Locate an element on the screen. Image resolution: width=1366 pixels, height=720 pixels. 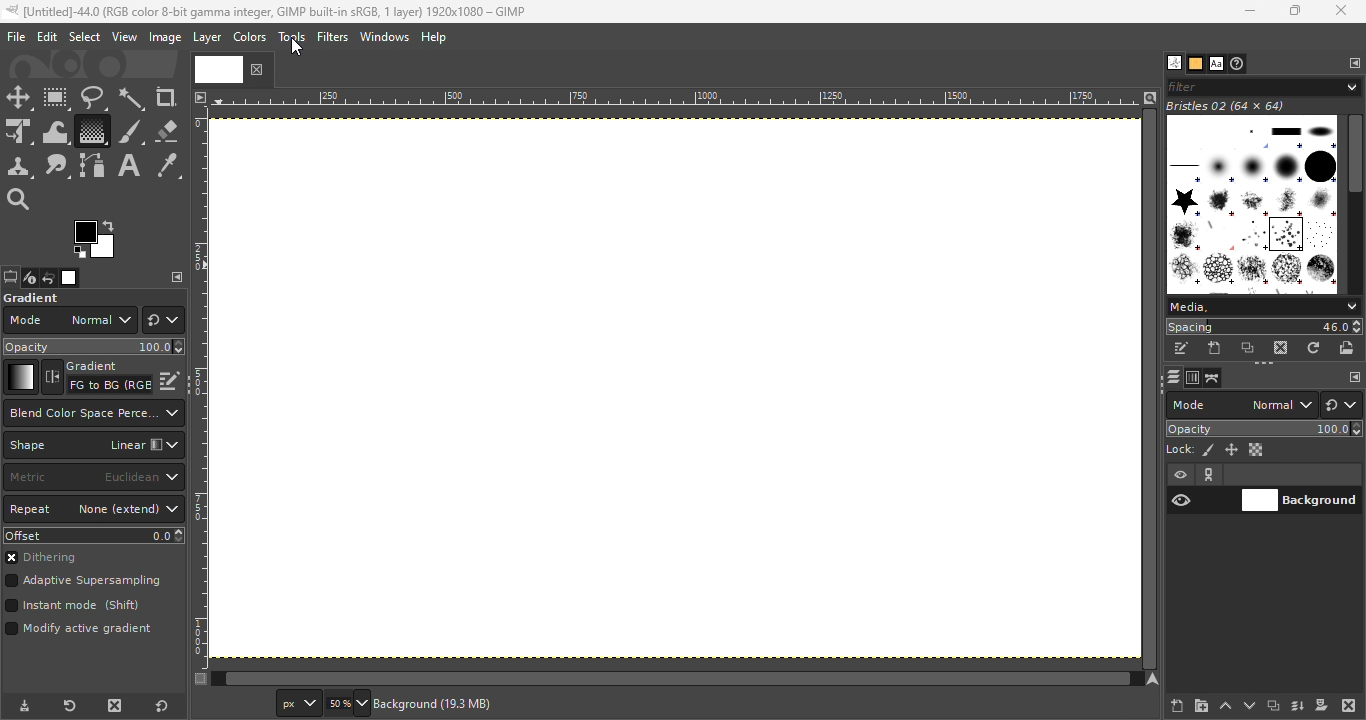
Reset to default values is located at coordinates (166, 705).